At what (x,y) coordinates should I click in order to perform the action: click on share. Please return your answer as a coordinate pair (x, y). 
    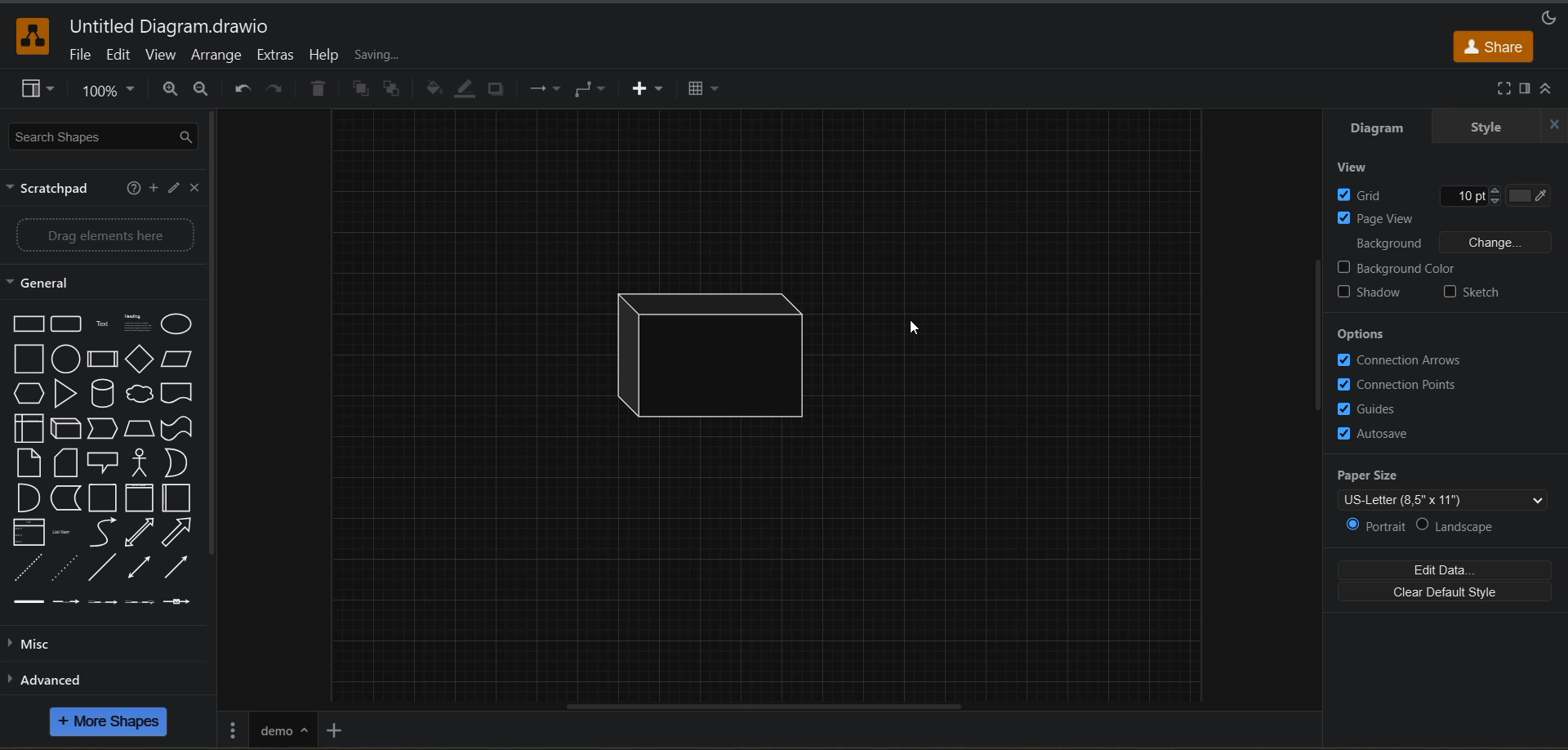
    Looking at the image, I should click on (1494, 47).